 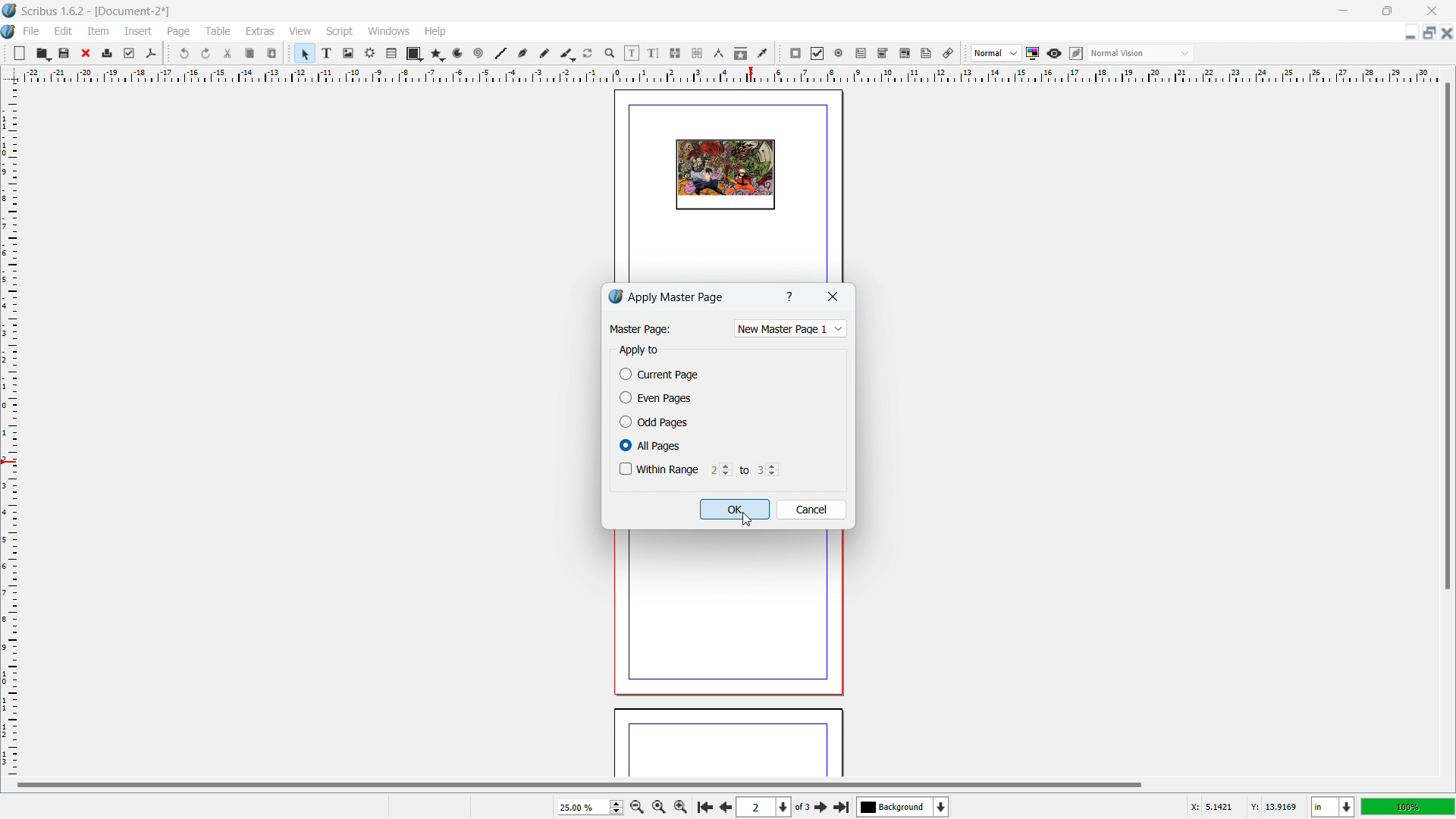 I want to click on unlink text frames, so click(x=697, y=54).